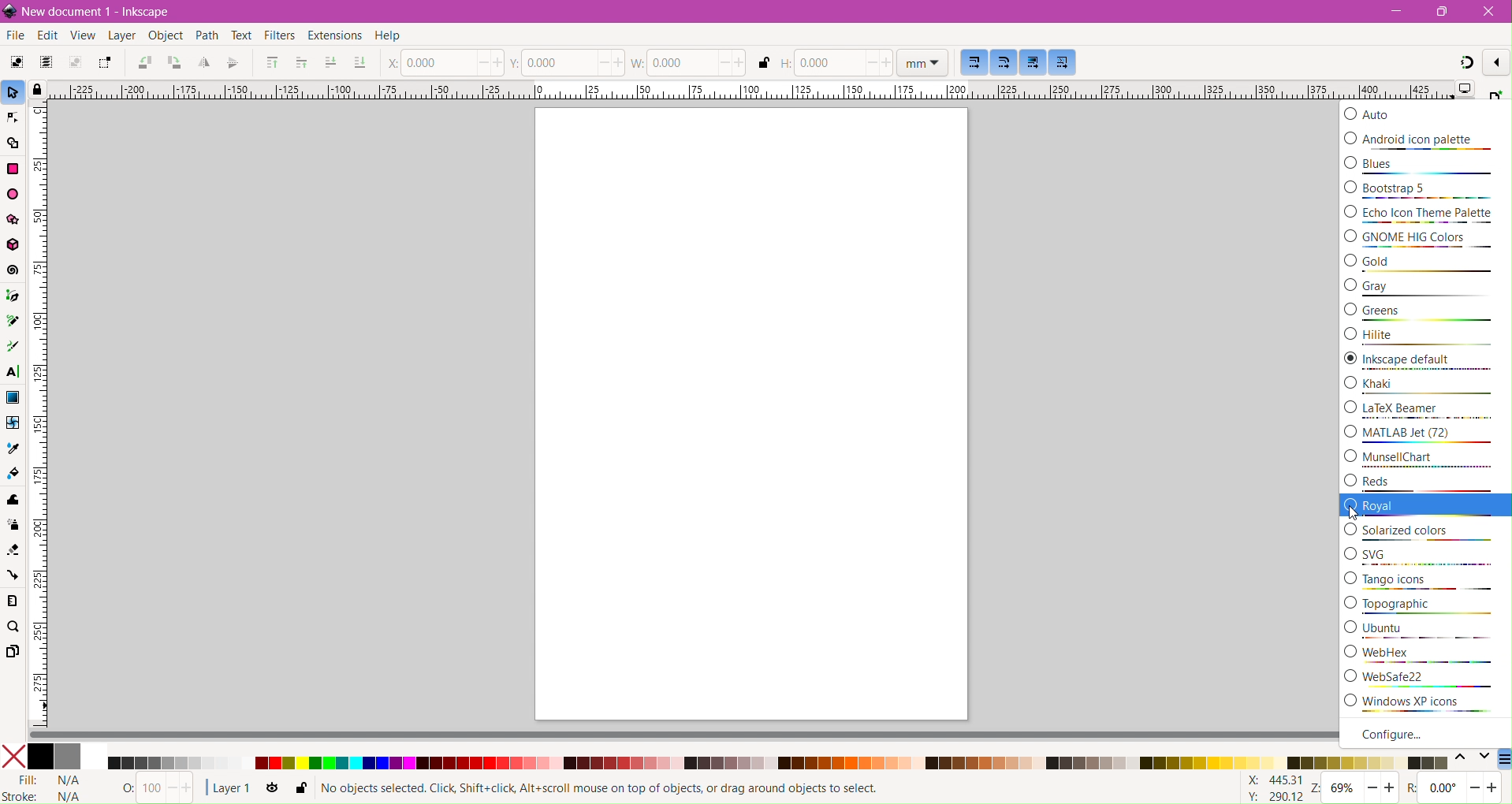 This screenshot has width=1512, height=804. Describe the element at coordinates (1465, 90) in the screenshot. I see `Display Options` at that location.